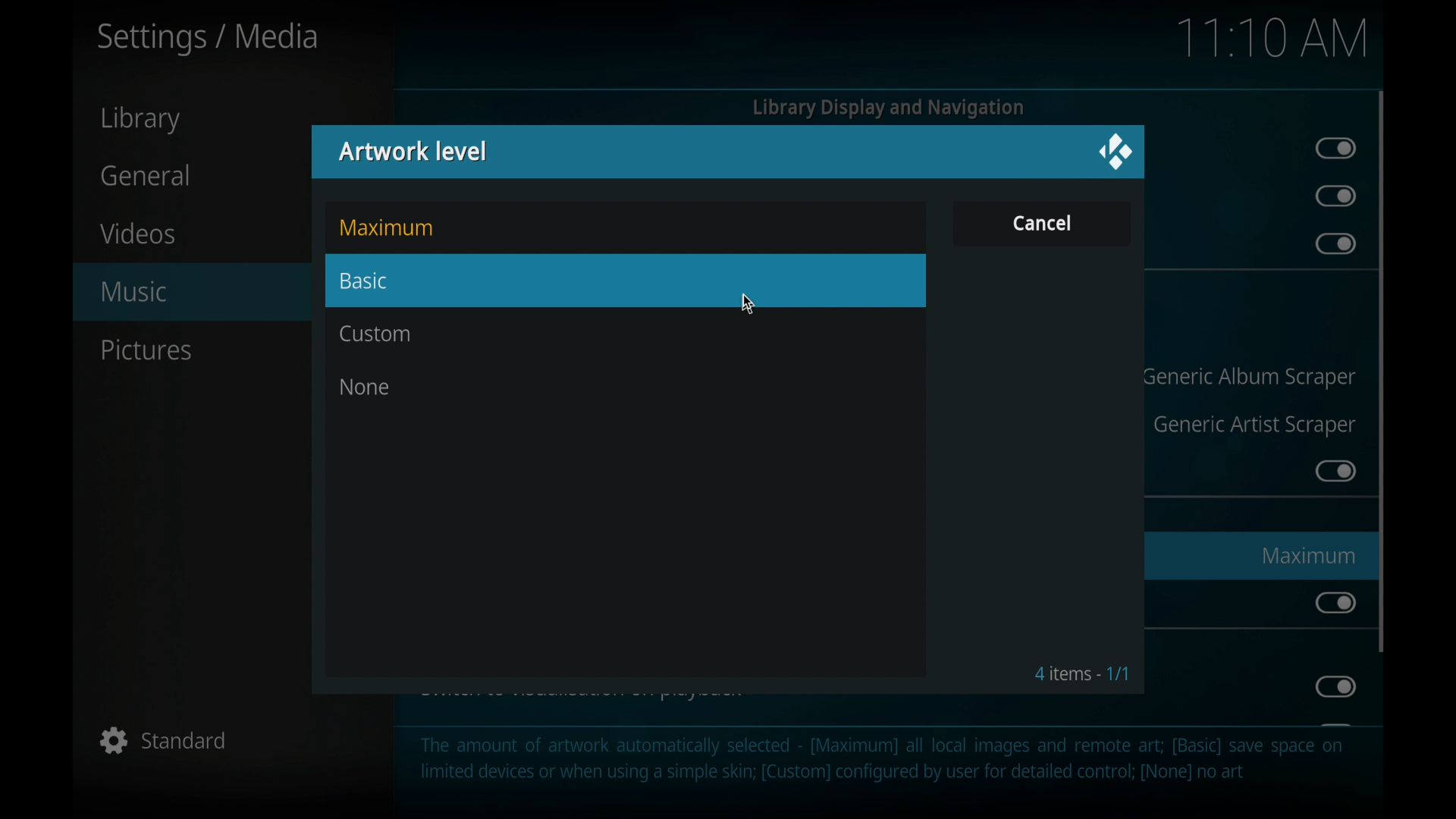 The image size is (1456, 819). What do you see at coordinates (1335, 686) in the screenshot?
I see `toggle button` at bounding box center [1335, 686].